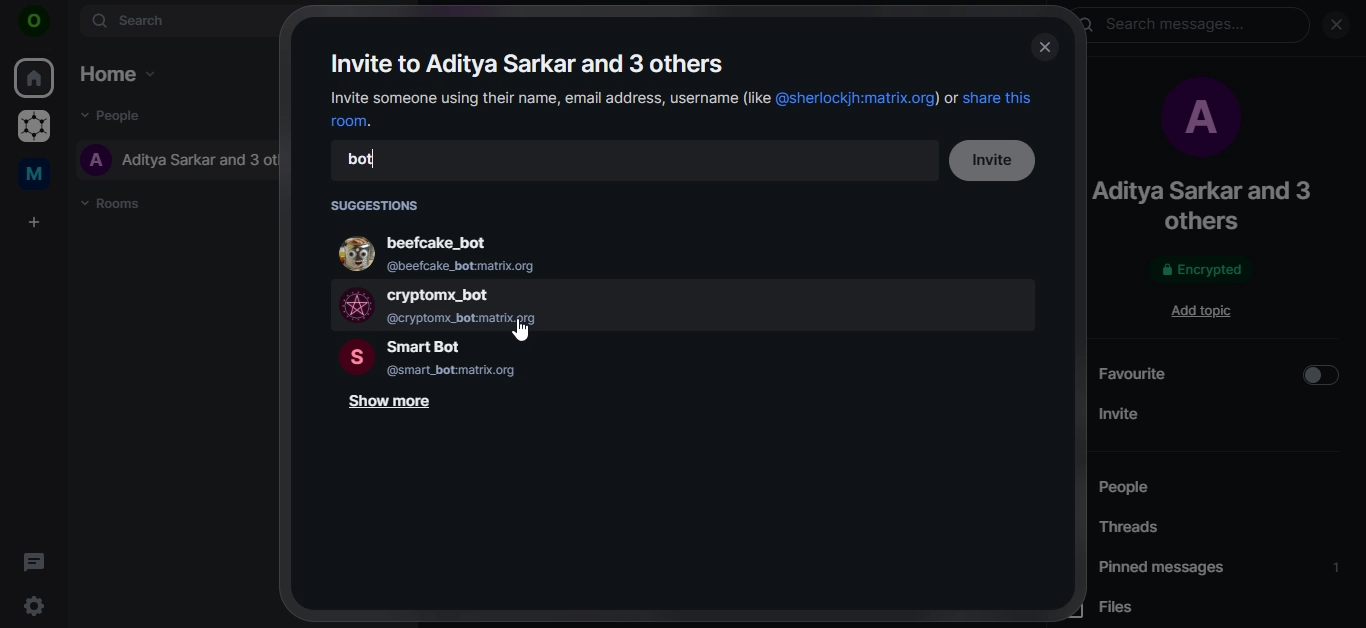  Describe the element at coordinates (32, 128) in the screenshot. I see `grapheneOS ` at that location.